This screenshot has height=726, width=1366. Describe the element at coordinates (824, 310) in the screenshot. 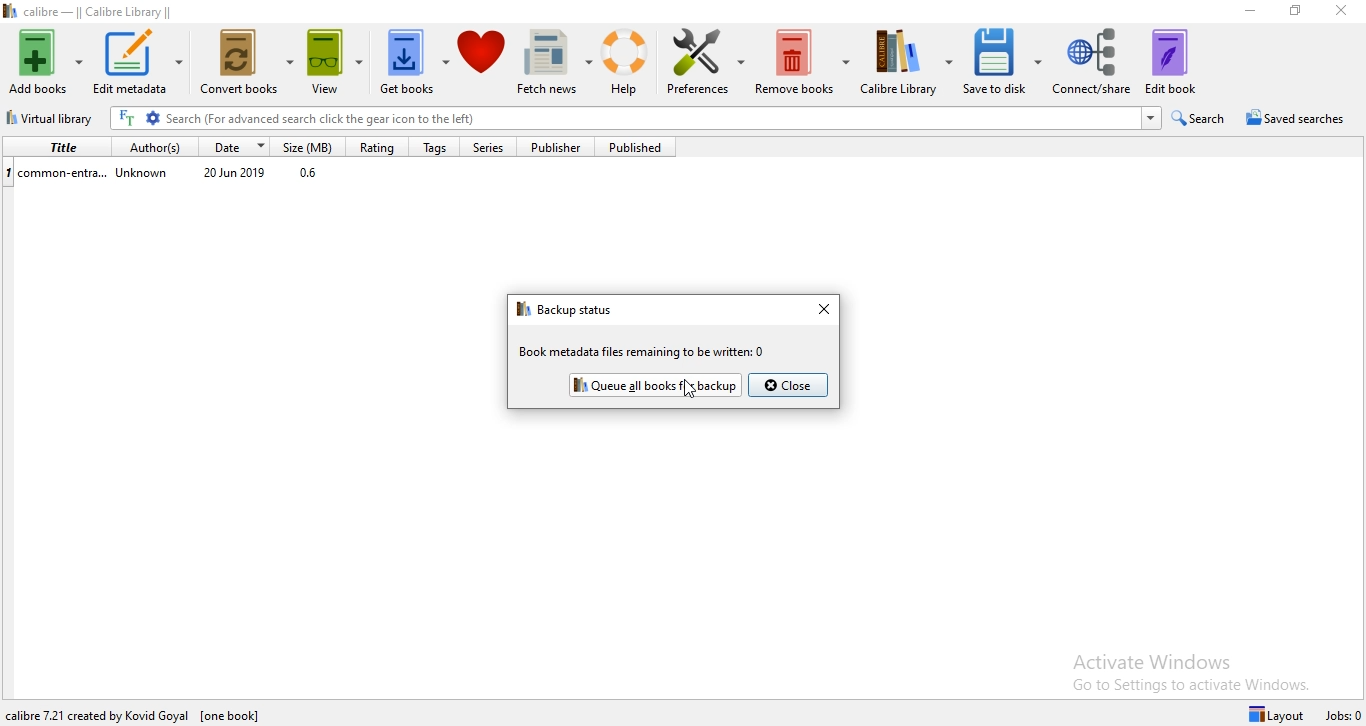

I see `close` at that location.